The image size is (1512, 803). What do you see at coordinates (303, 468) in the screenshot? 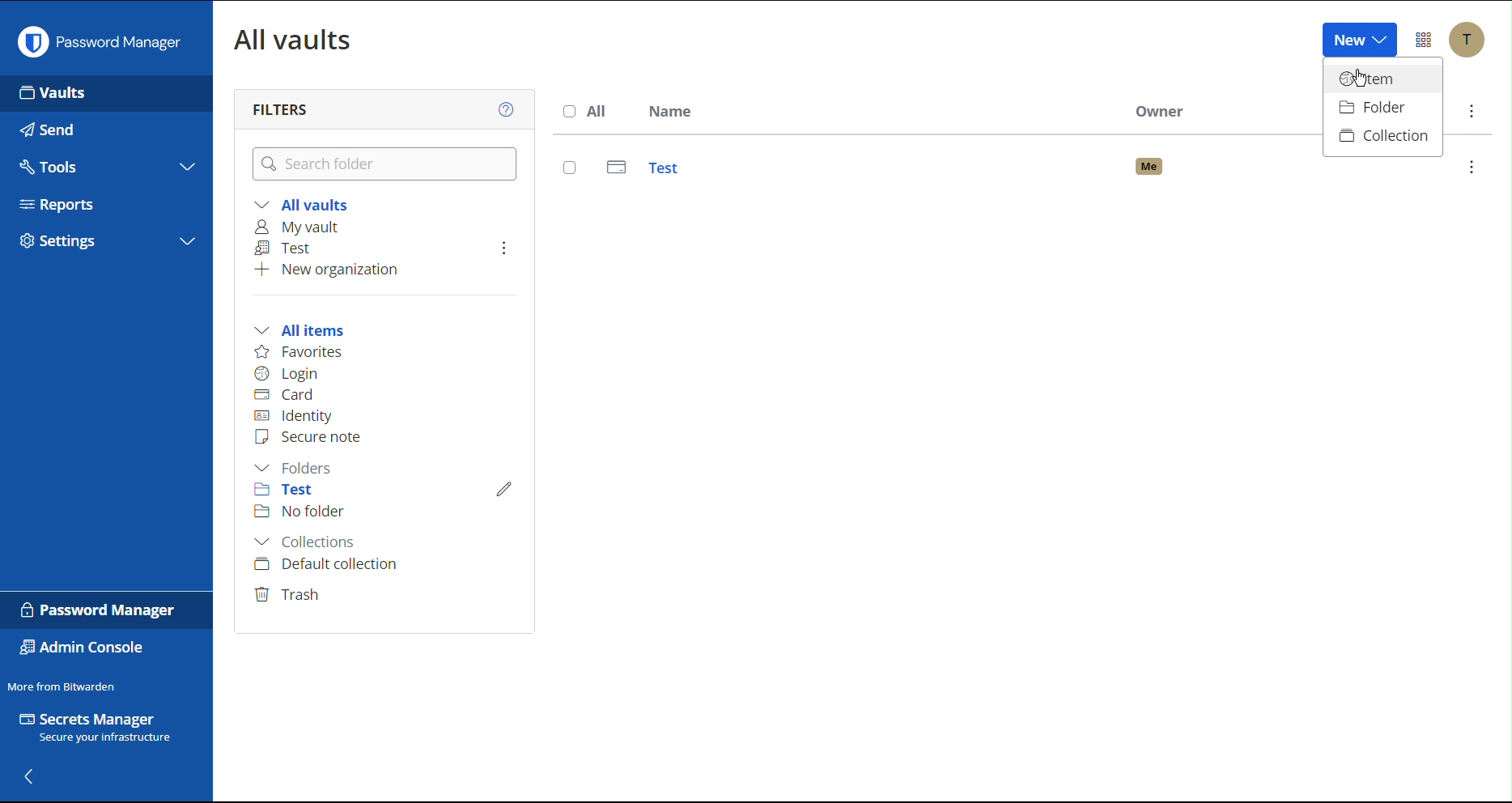
I see `Folders` at bounding box center [303, 468].